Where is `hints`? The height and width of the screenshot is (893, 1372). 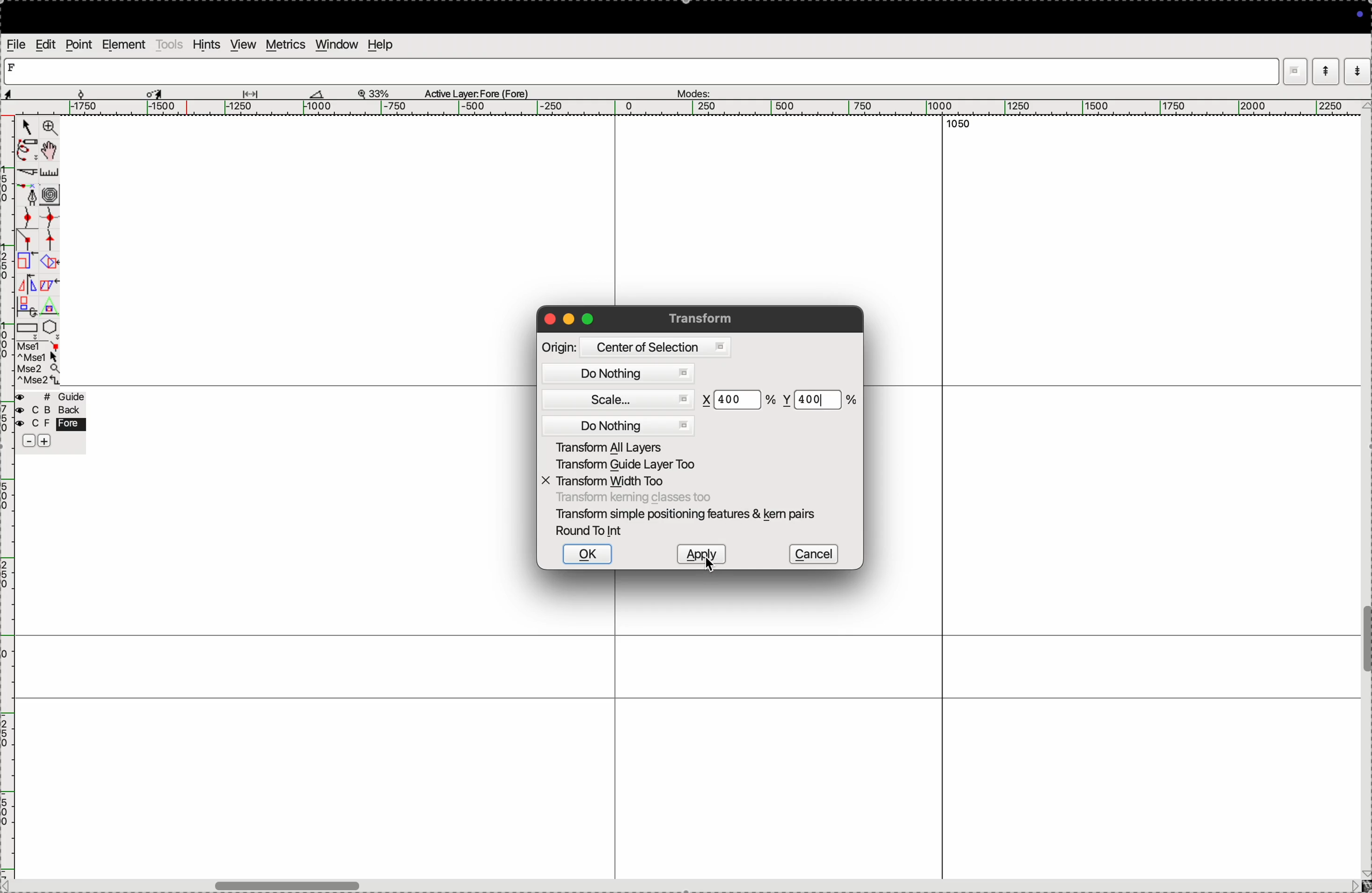
hints is located at coordinates (207, 44).